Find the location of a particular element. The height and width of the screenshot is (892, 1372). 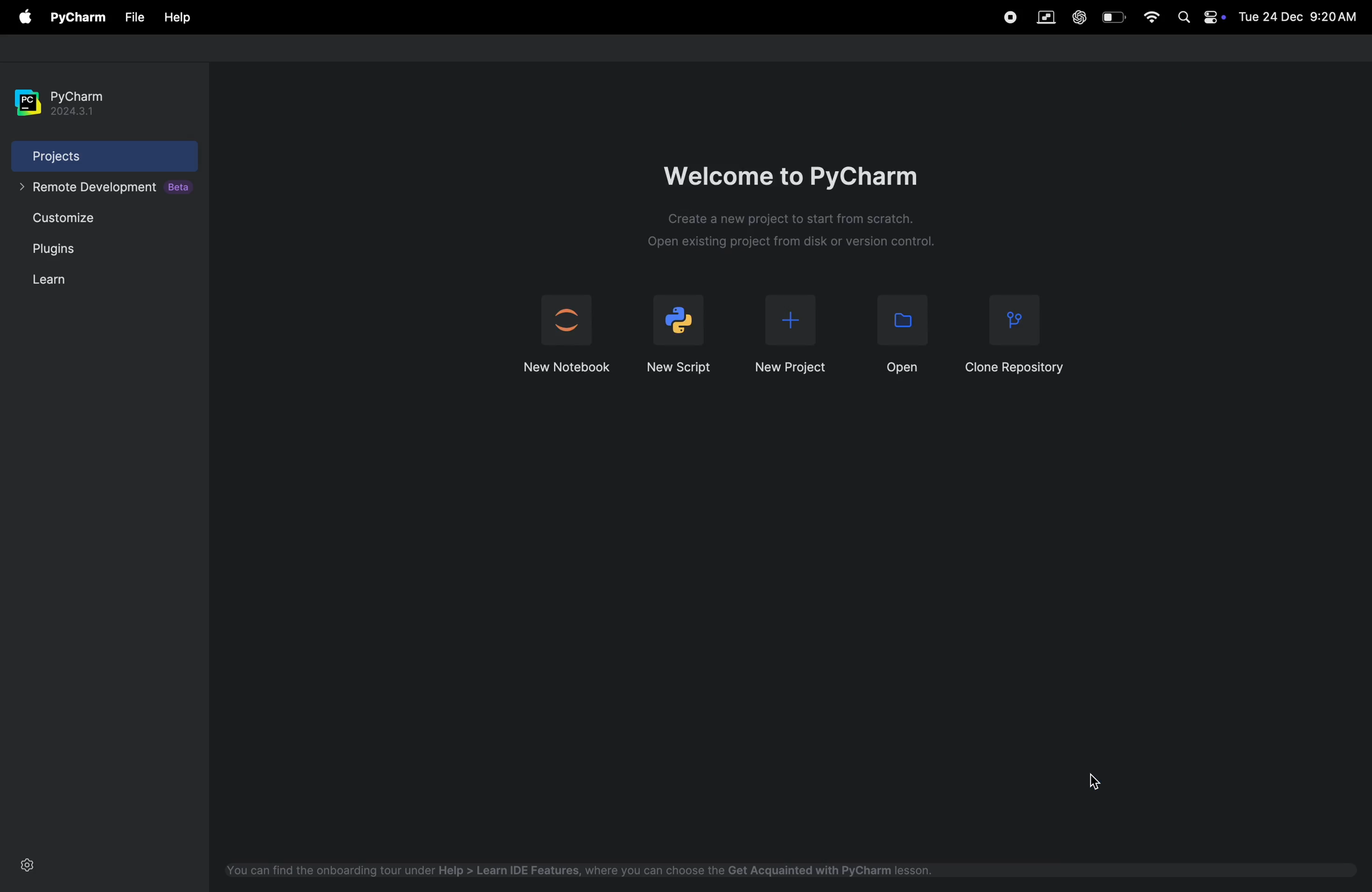

File is located at coordinates (133, 18).